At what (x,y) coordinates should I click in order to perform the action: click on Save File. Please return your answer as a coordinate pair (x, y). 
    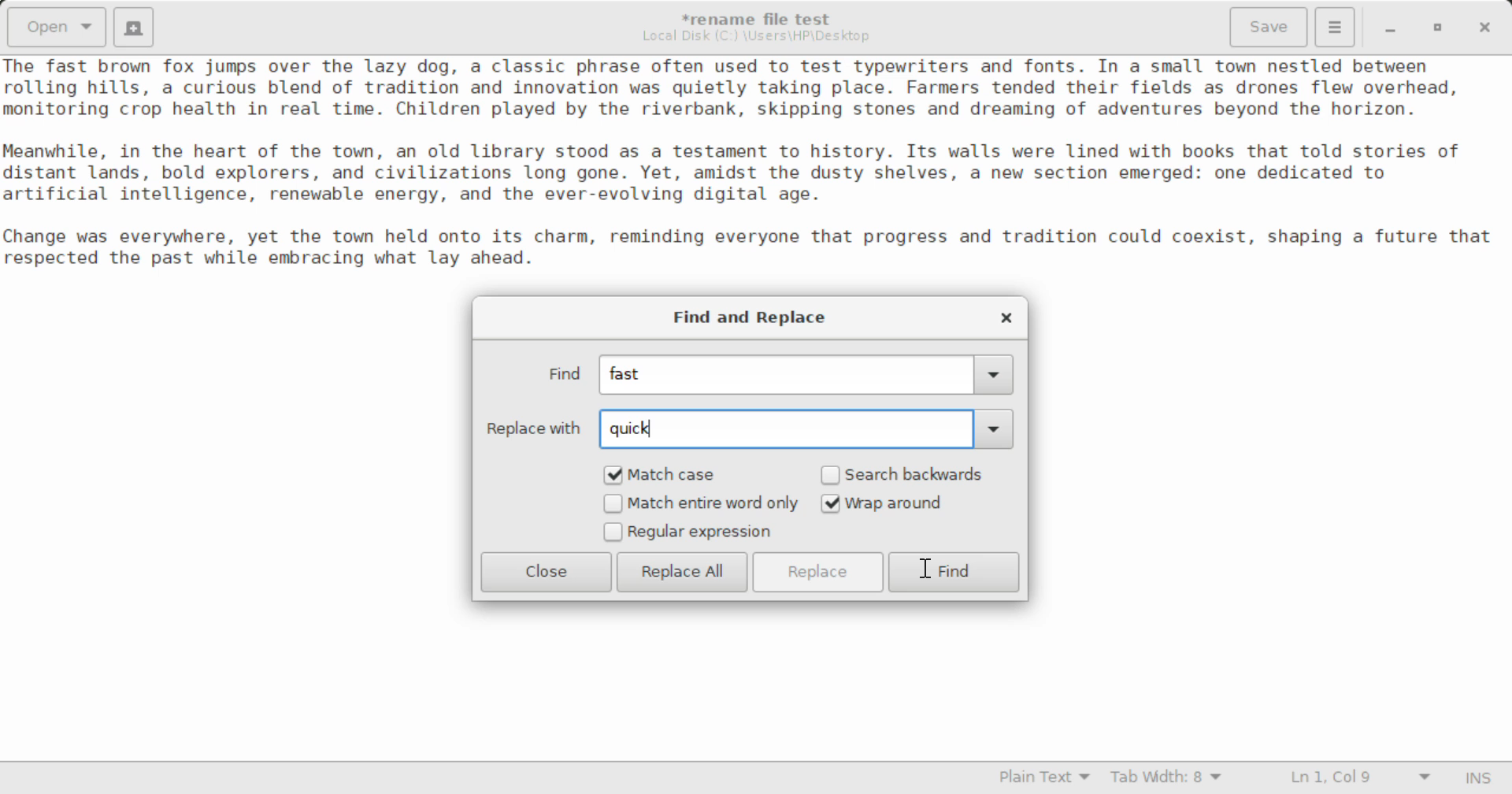
    Looking at the image, I should click on (1271, 25).